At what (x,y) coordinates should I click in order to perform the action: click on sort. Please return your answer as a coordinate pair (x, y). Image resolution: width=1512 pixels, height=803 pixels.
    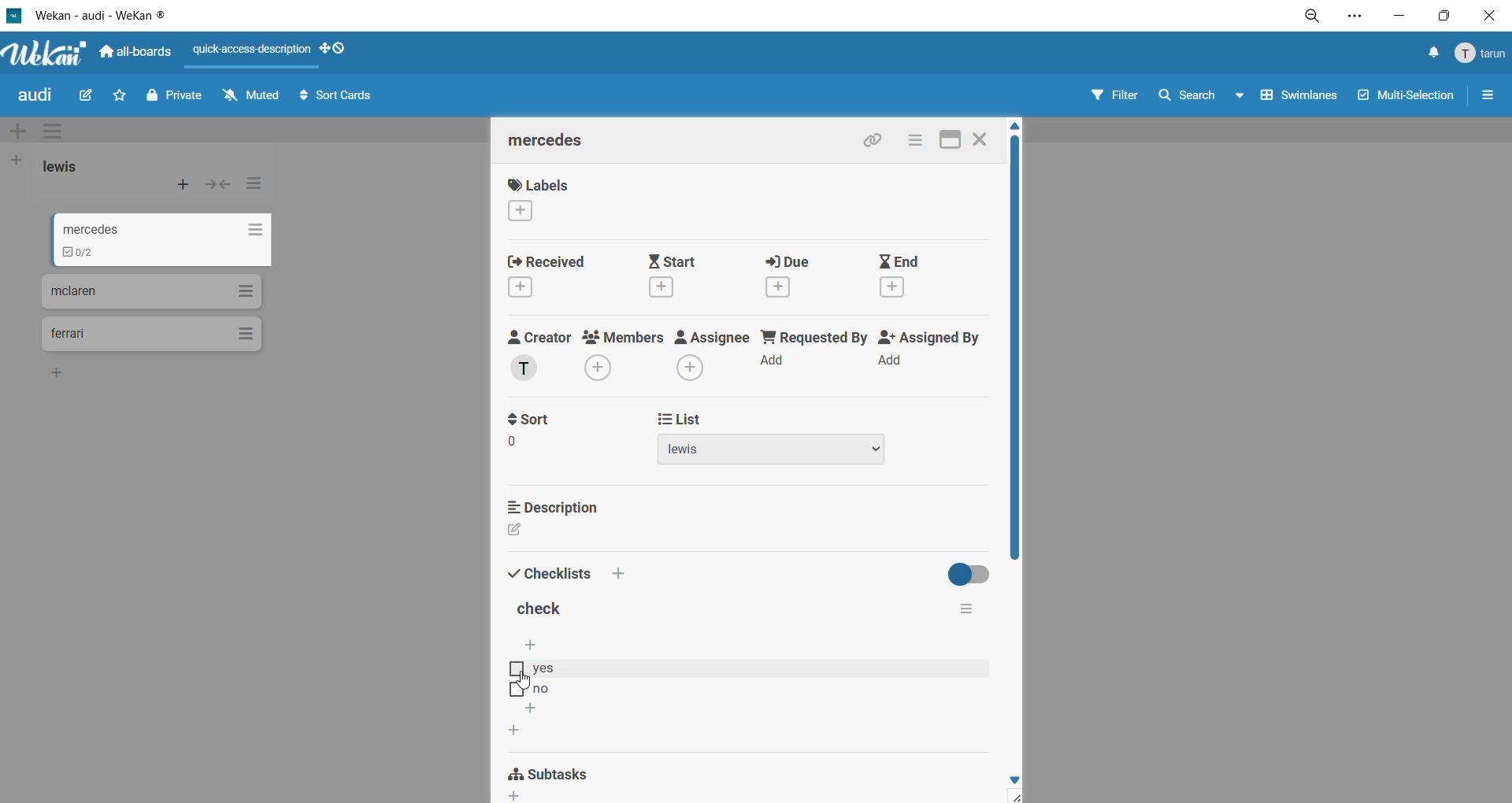
    Looking at the image, I should click on (550, 432).